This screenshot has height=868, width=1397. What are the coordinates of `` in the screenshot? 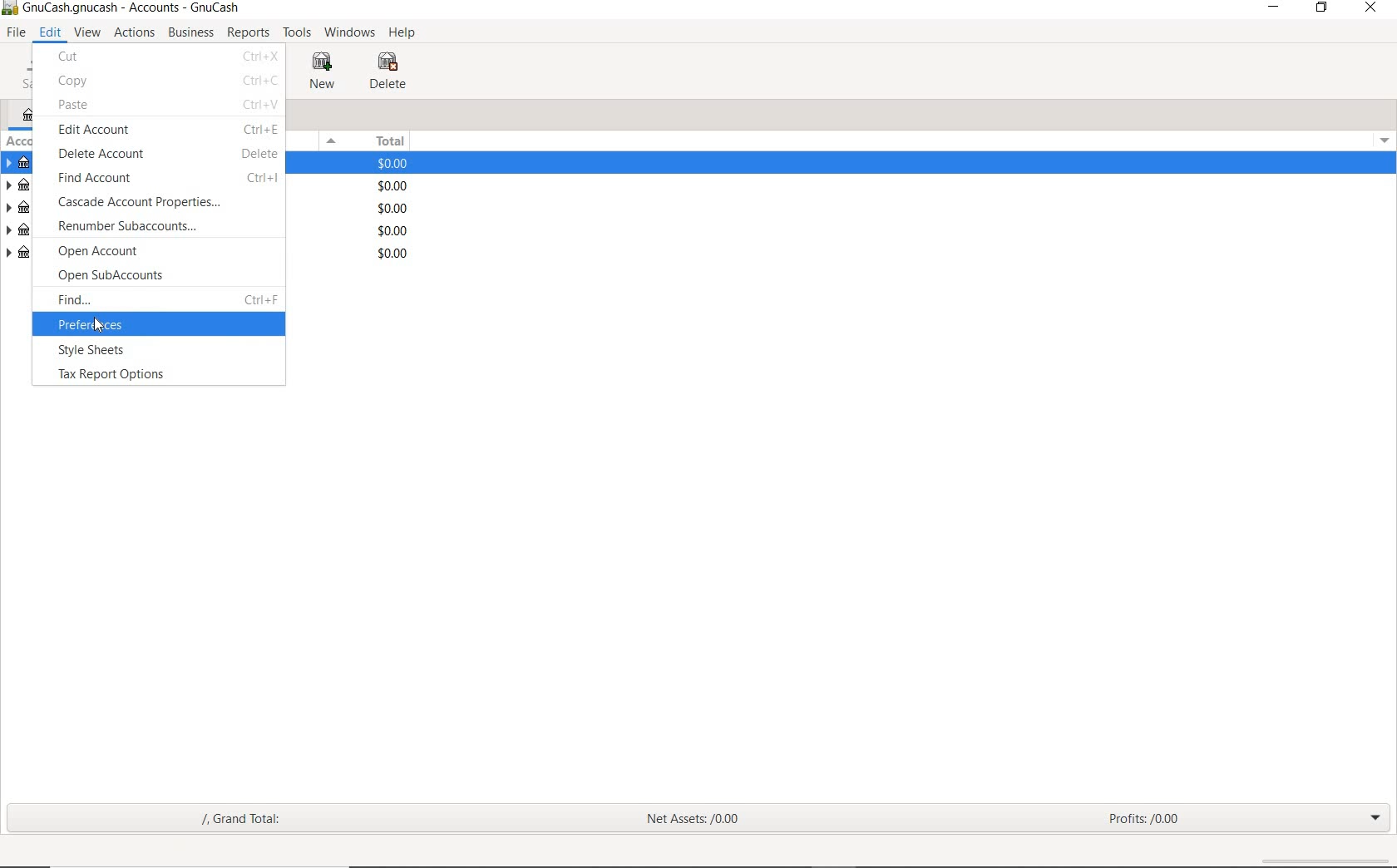 It's located at (1382, 141).